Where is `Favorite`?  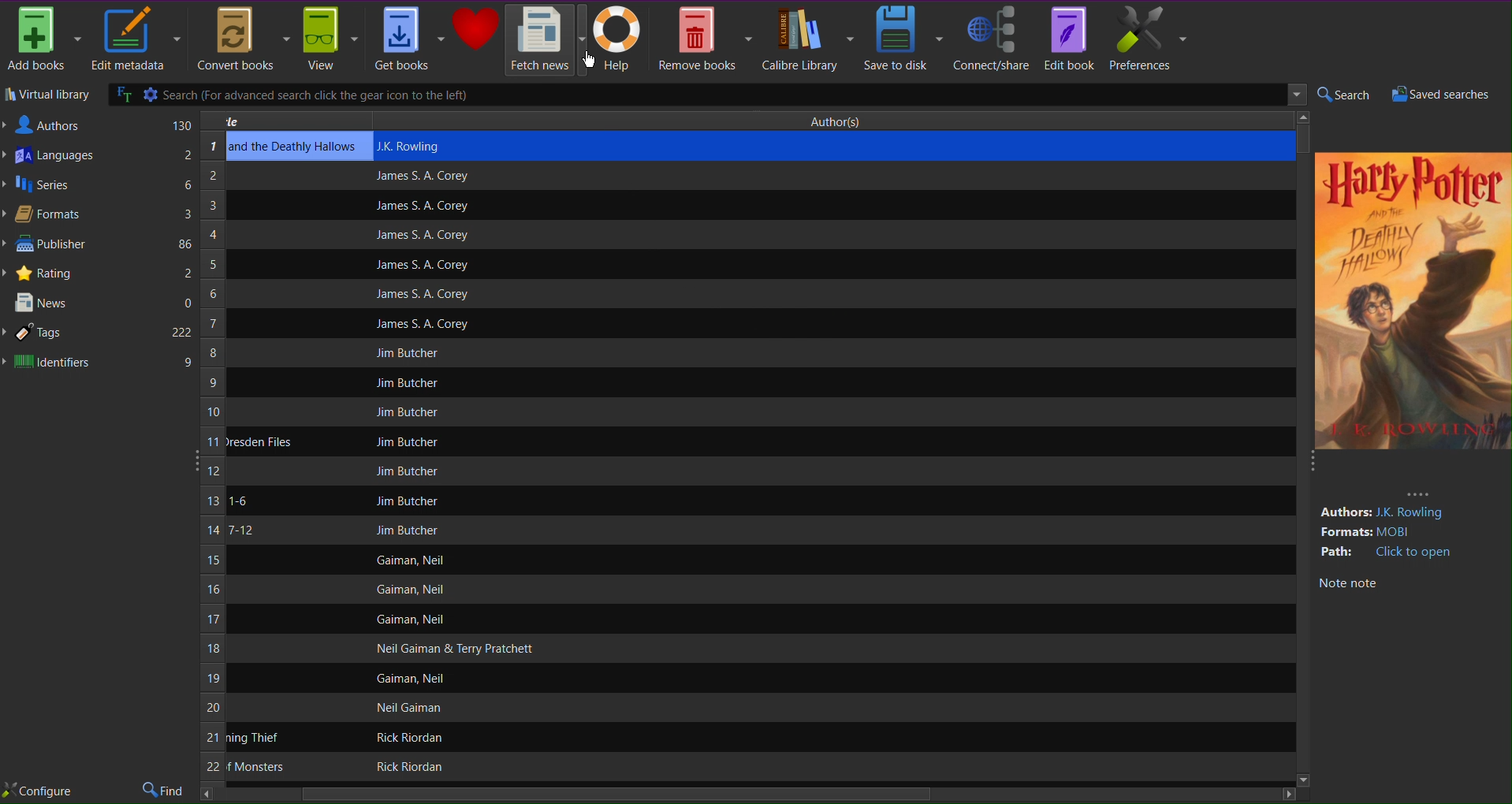
Favorite is located at coordinates (477, 29).